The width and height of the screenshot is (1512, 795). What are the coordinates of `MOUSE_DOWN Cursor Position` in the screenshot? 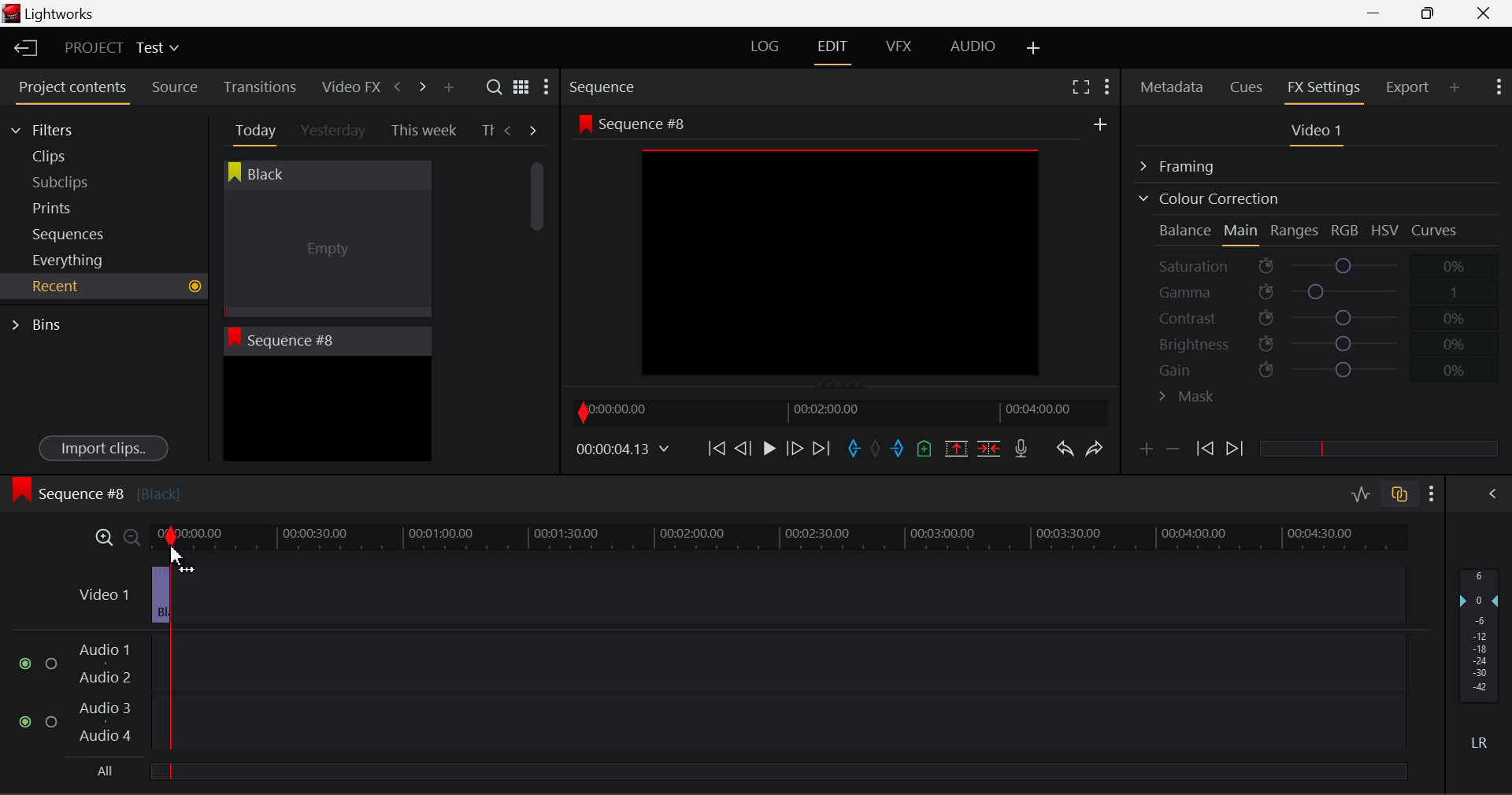 It's located at (174, 553).